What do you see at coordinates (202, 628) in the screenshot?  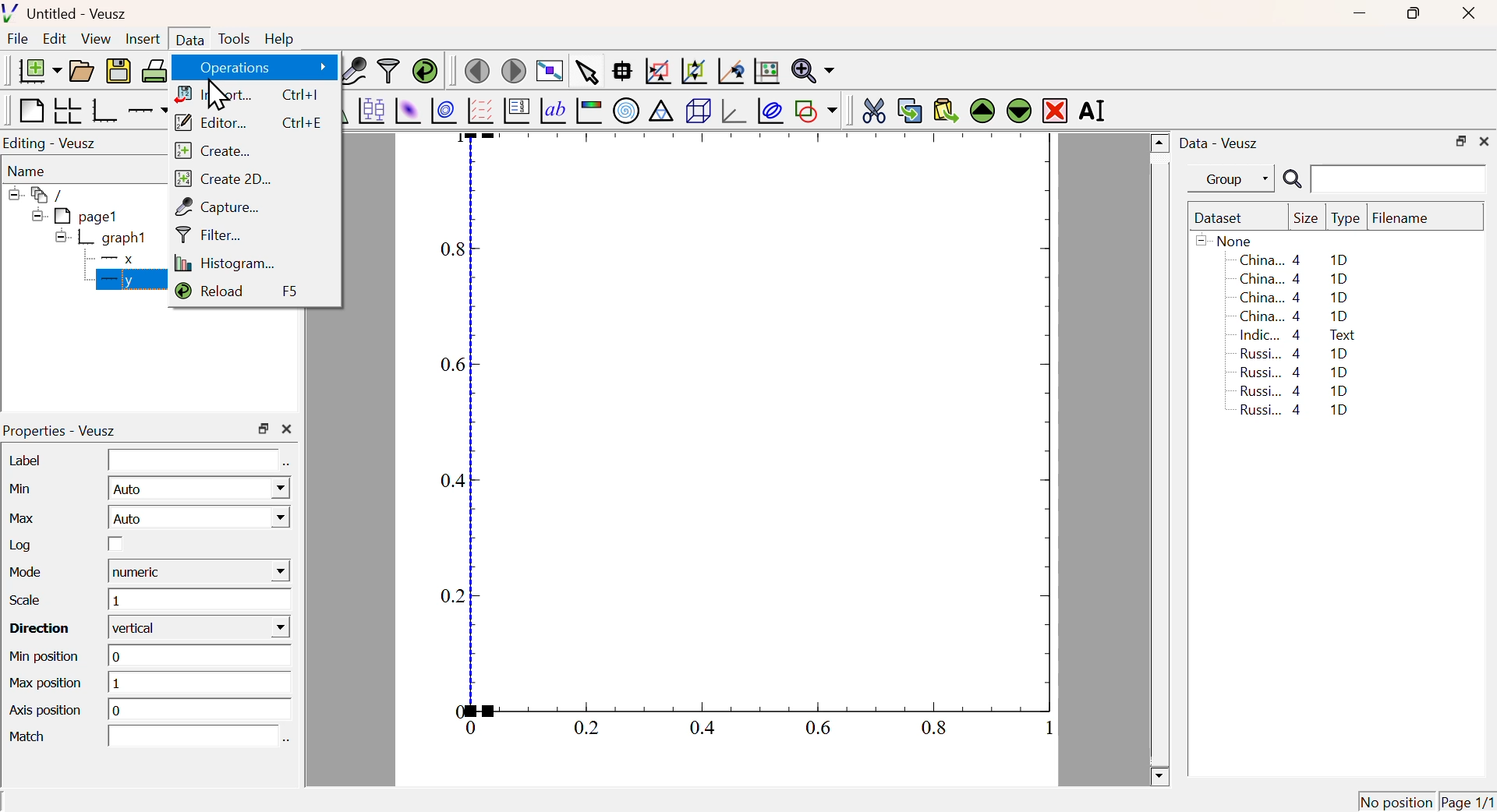 I see `vertical ` at bounding box center [202, 628].